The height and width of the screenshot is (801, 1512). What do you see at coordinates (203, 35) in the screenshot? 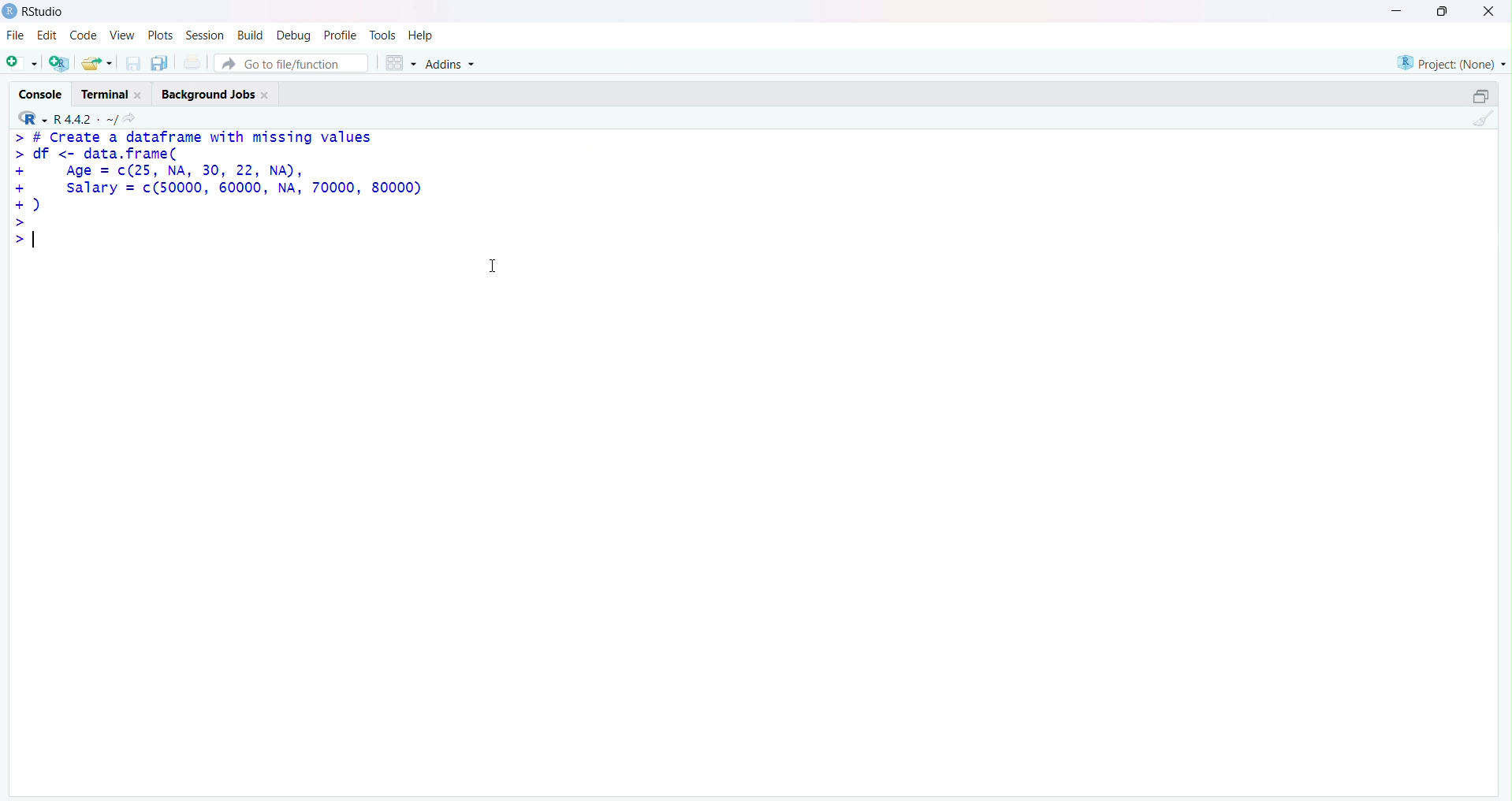
I see `Session` at bounding box center [203, 35].